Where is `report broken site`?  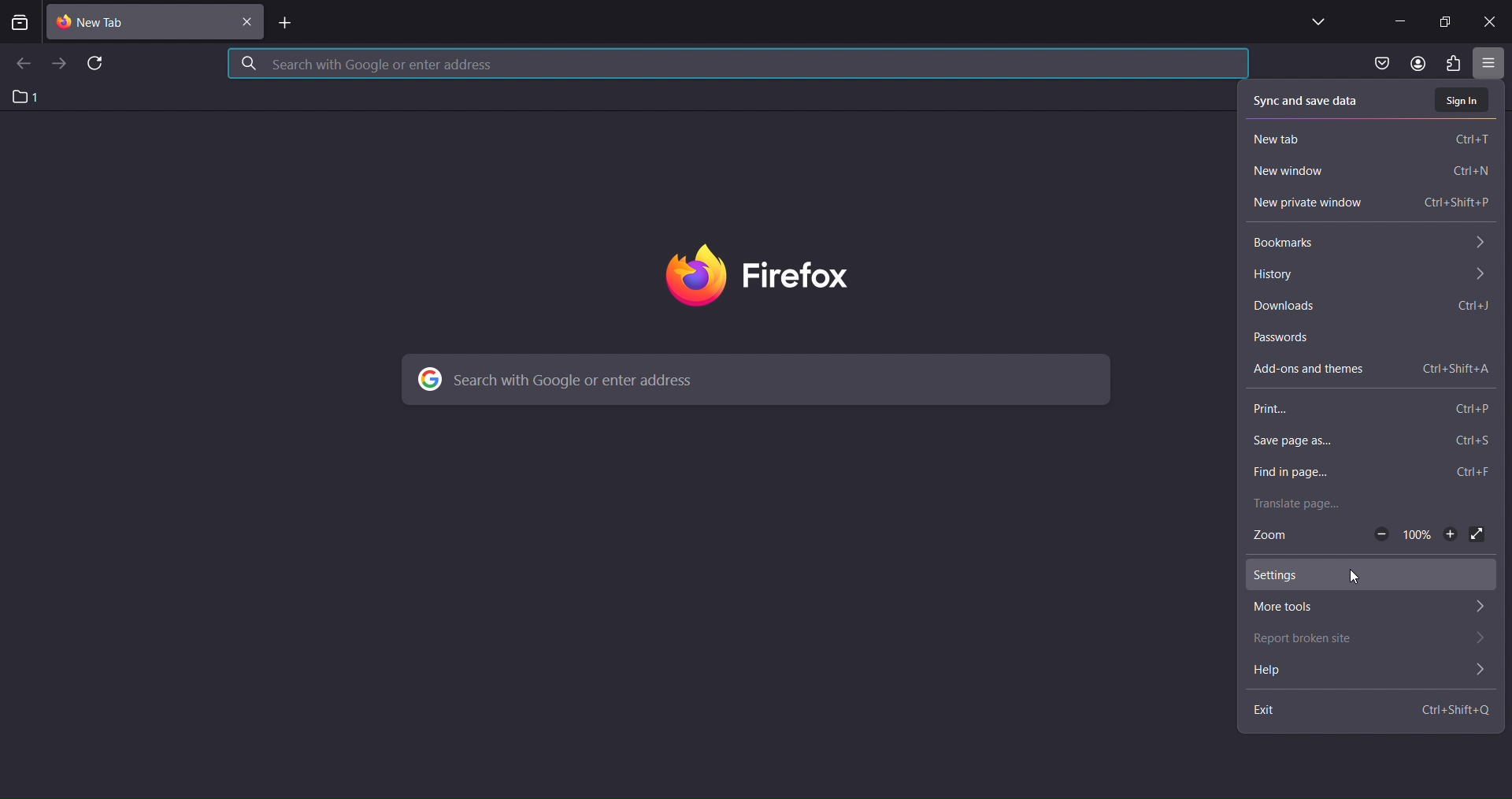 report broken site is located at coordinates (1372, 638).